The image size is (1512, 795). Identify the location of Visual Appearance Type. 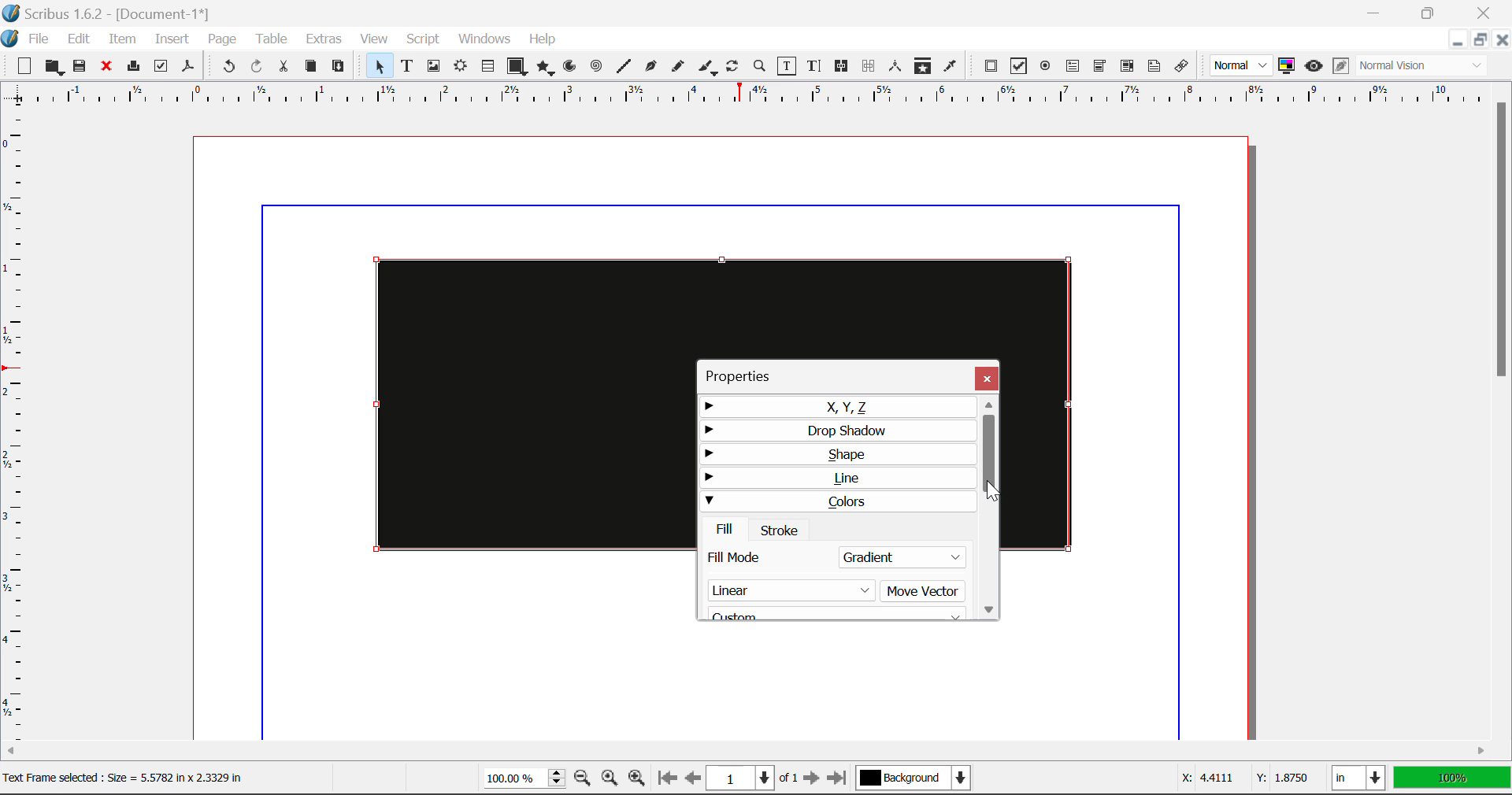
(1423, 67).